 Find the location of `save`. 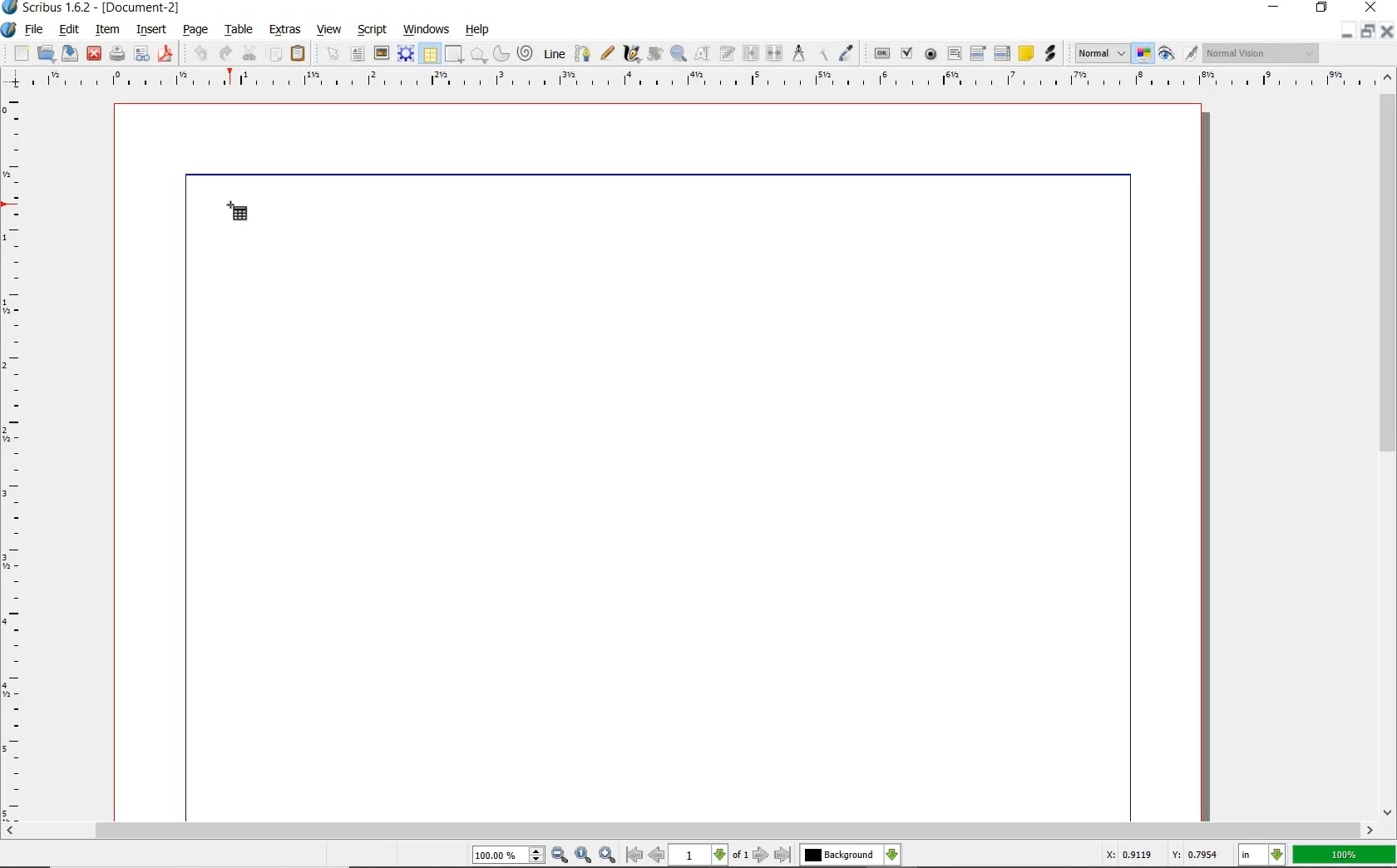

save is located at coordinates (69, 55).